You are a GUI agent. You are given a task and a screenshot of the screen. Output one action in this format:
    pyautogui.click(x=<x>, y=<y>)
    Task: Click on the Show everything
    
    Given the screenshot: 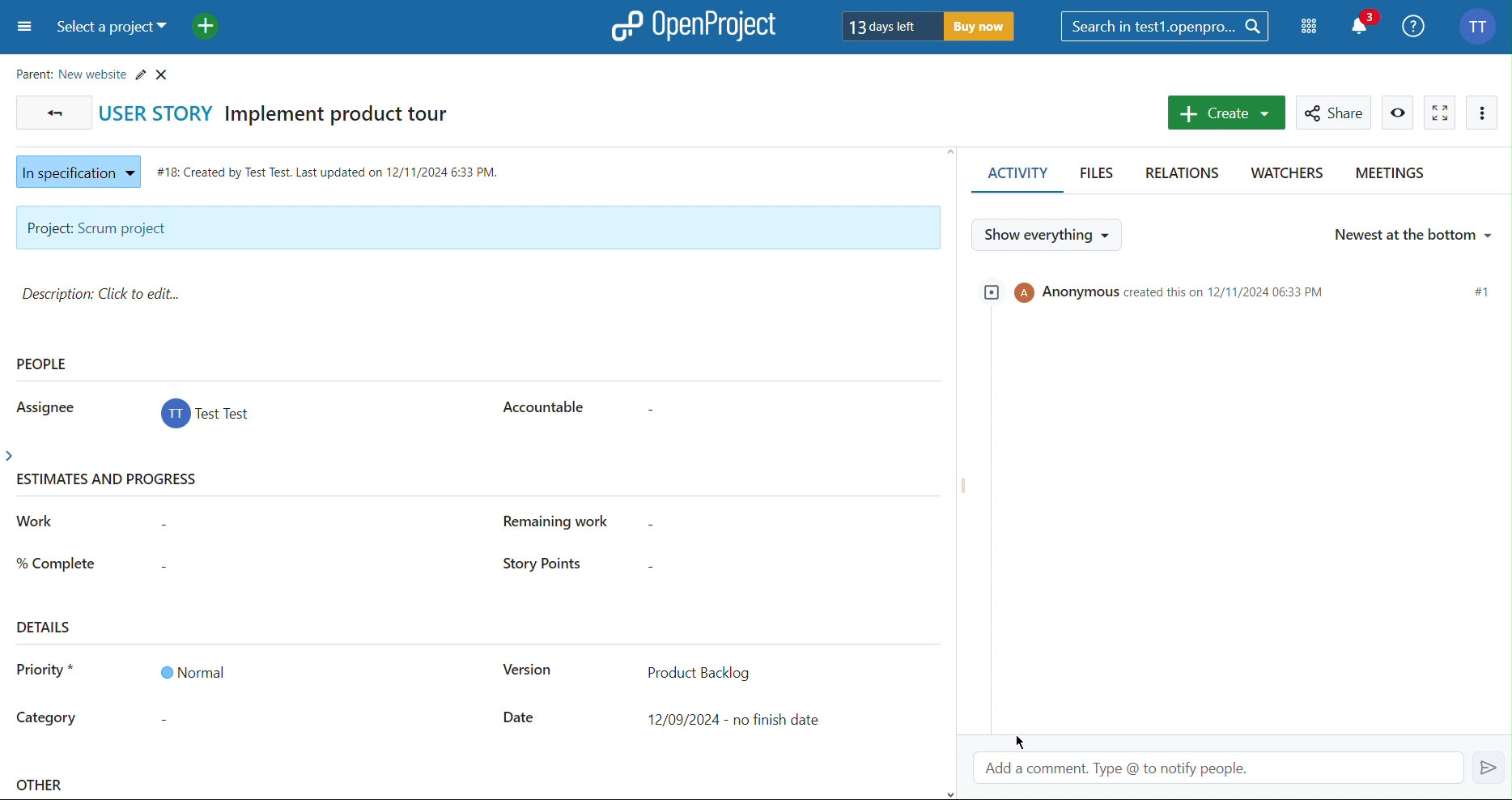 What is the action you would take?
    pyautogui.click(x=1049, y=234)
    